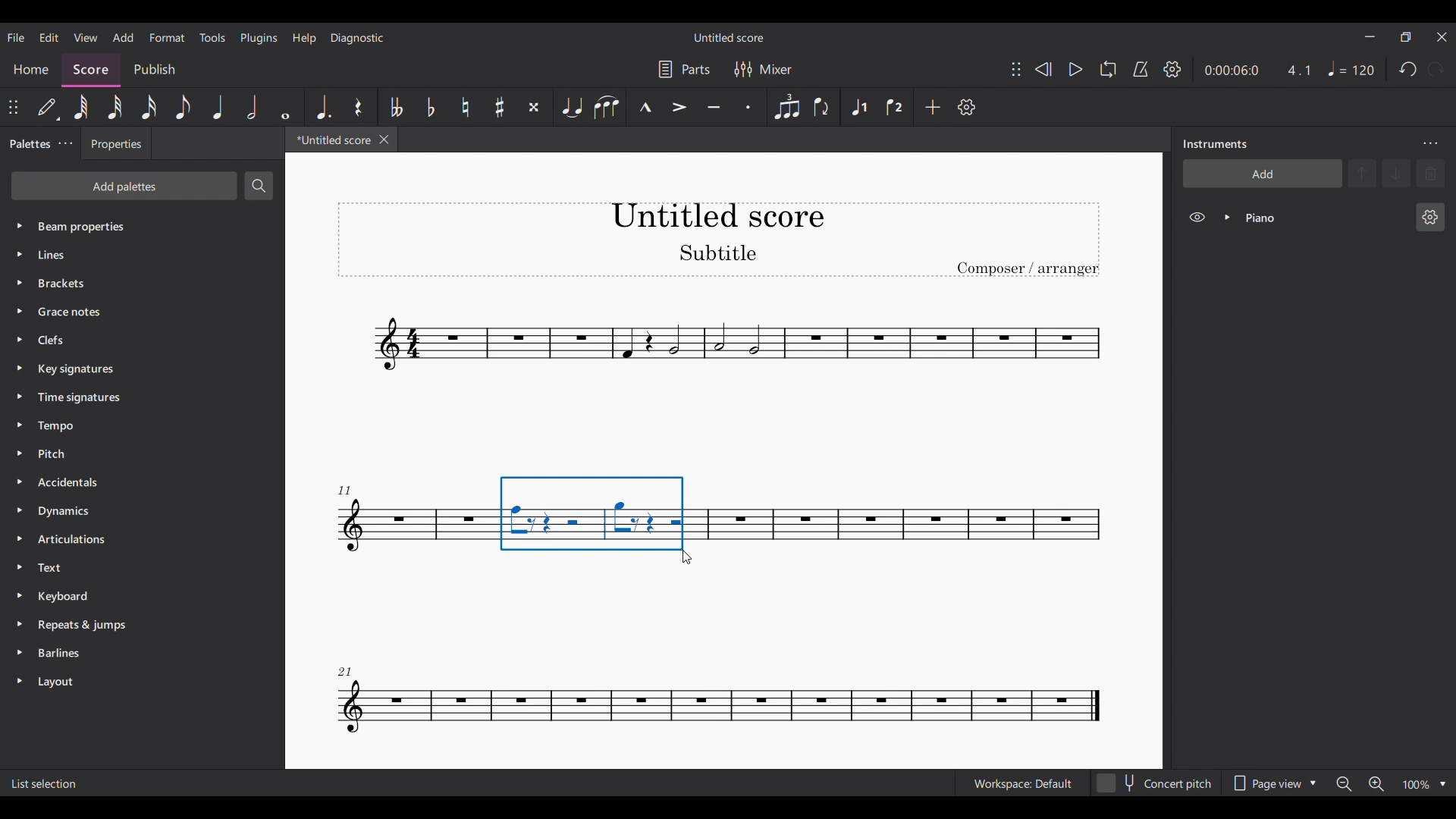 This screenshot has width=1456, height=819. I want to click on Voice 2, so click(894, 107).